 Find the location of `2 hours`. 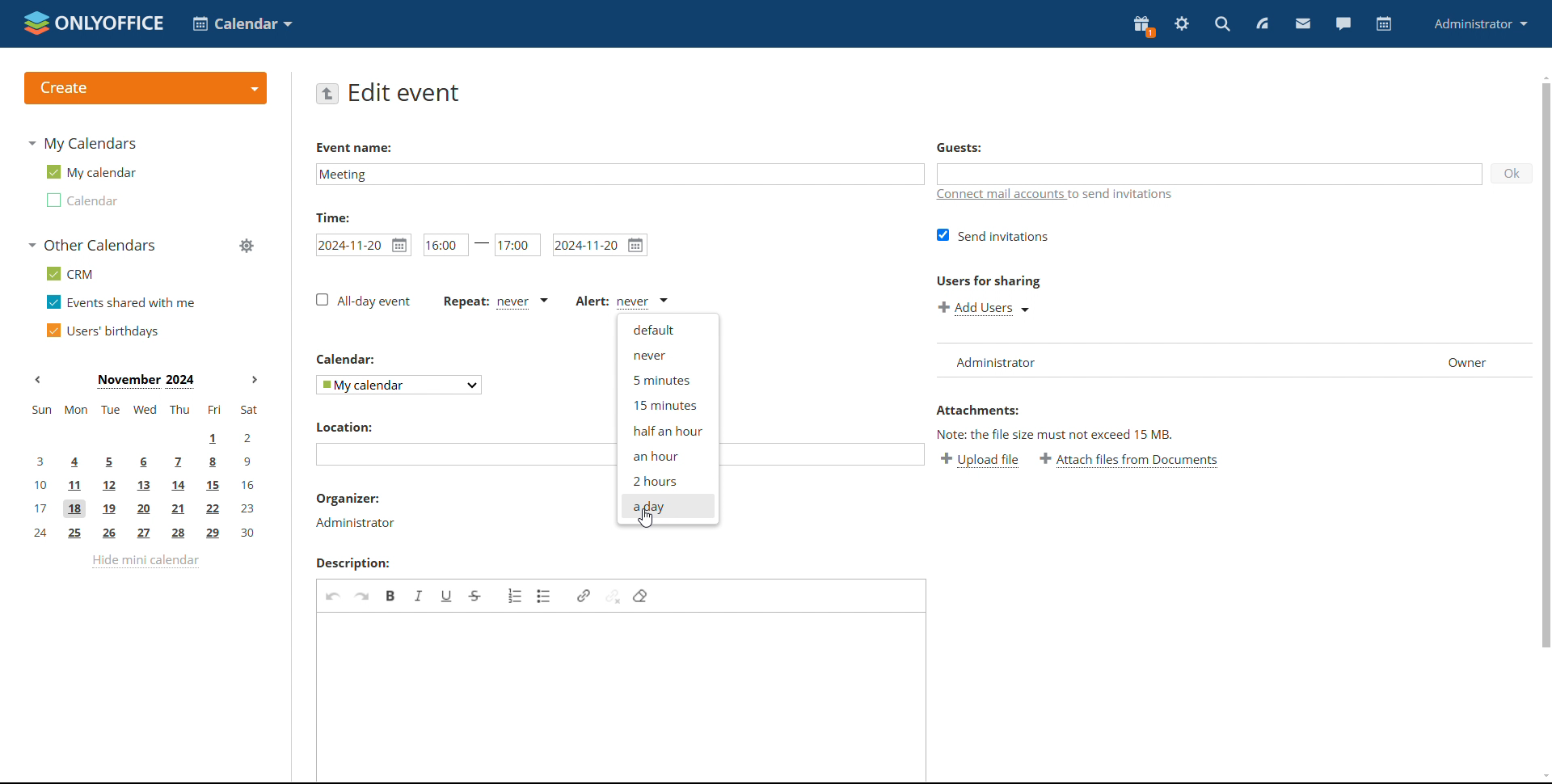

2 hours is located at coordinates (668, 480).